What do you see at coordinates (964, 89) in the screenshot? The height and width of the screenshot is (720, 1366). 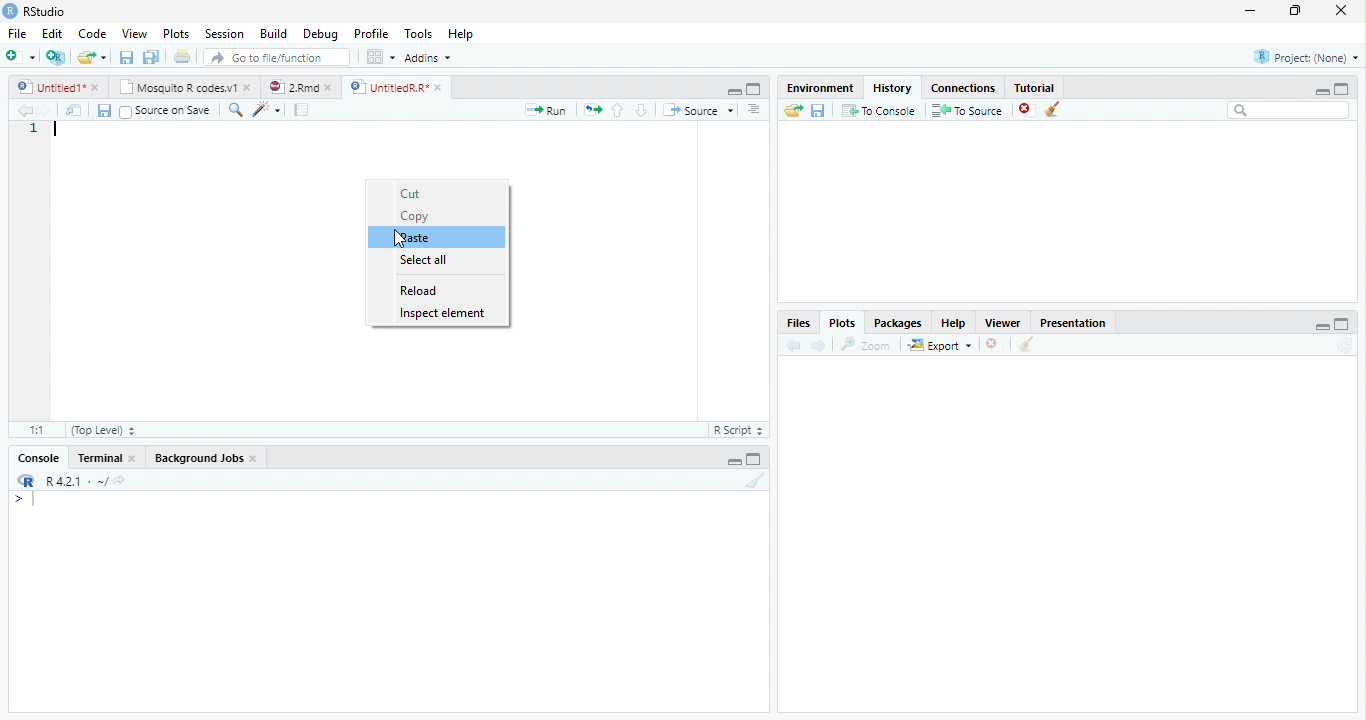 I see `Connections` at bounding box center [964, 89].